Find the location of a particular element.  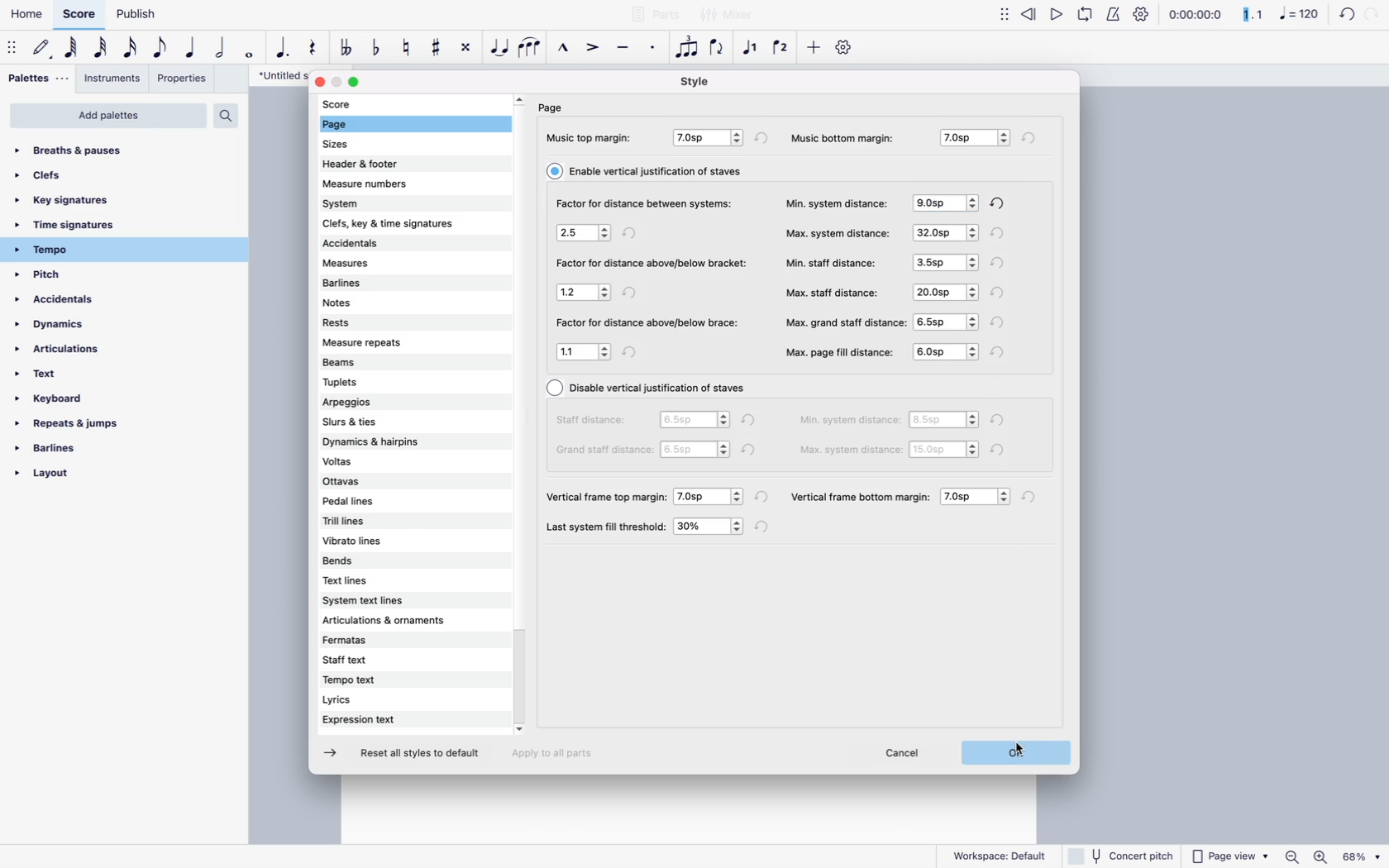

staccato is located at coordinates (655, 50).